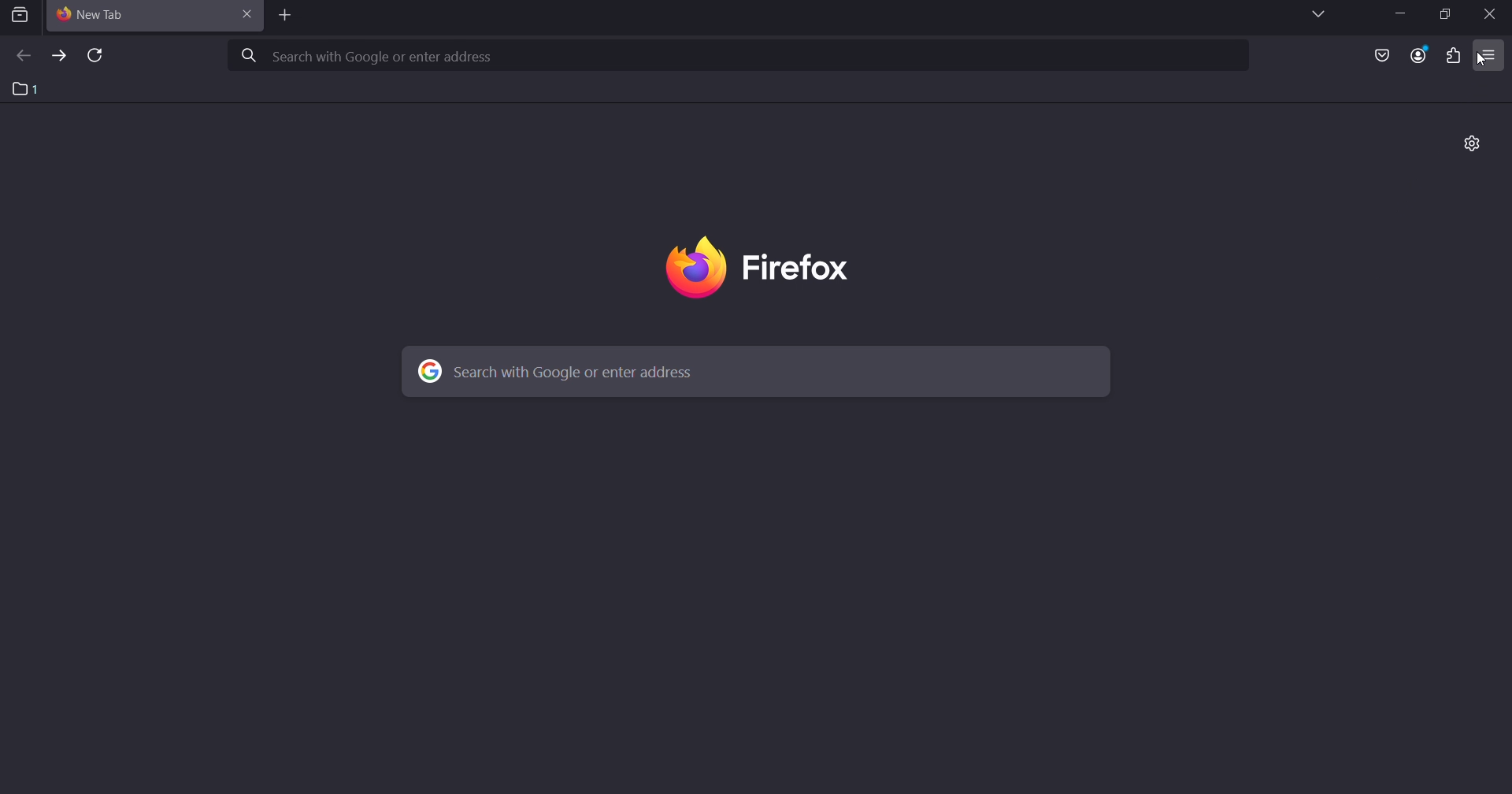 The image size is (1512, 794). Describe the element at coordinates (57, 57) in the screenshot. I see `forward one page` at that location.